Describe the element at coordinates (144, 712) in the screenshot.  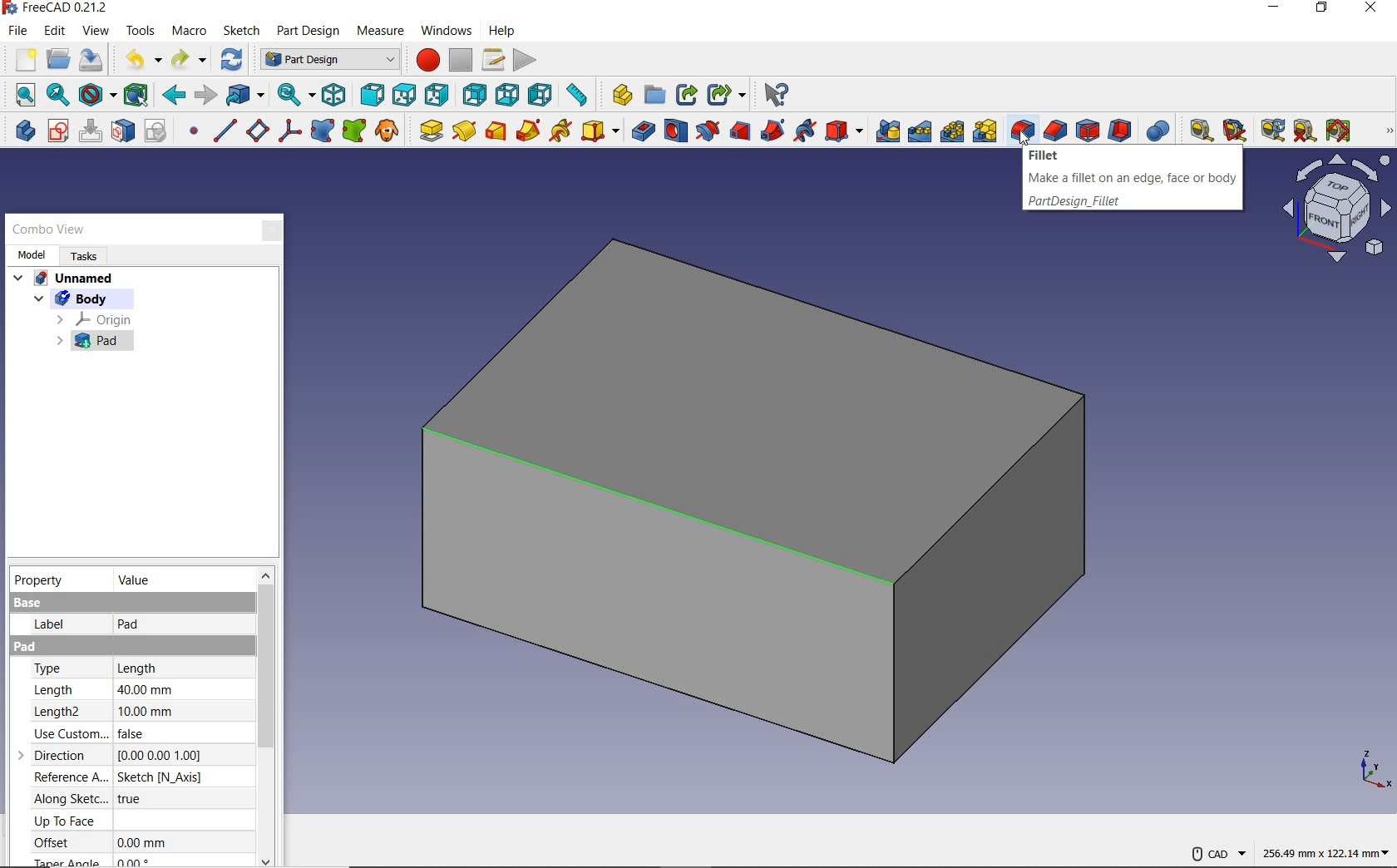
I see `10.00 mm` at that location.